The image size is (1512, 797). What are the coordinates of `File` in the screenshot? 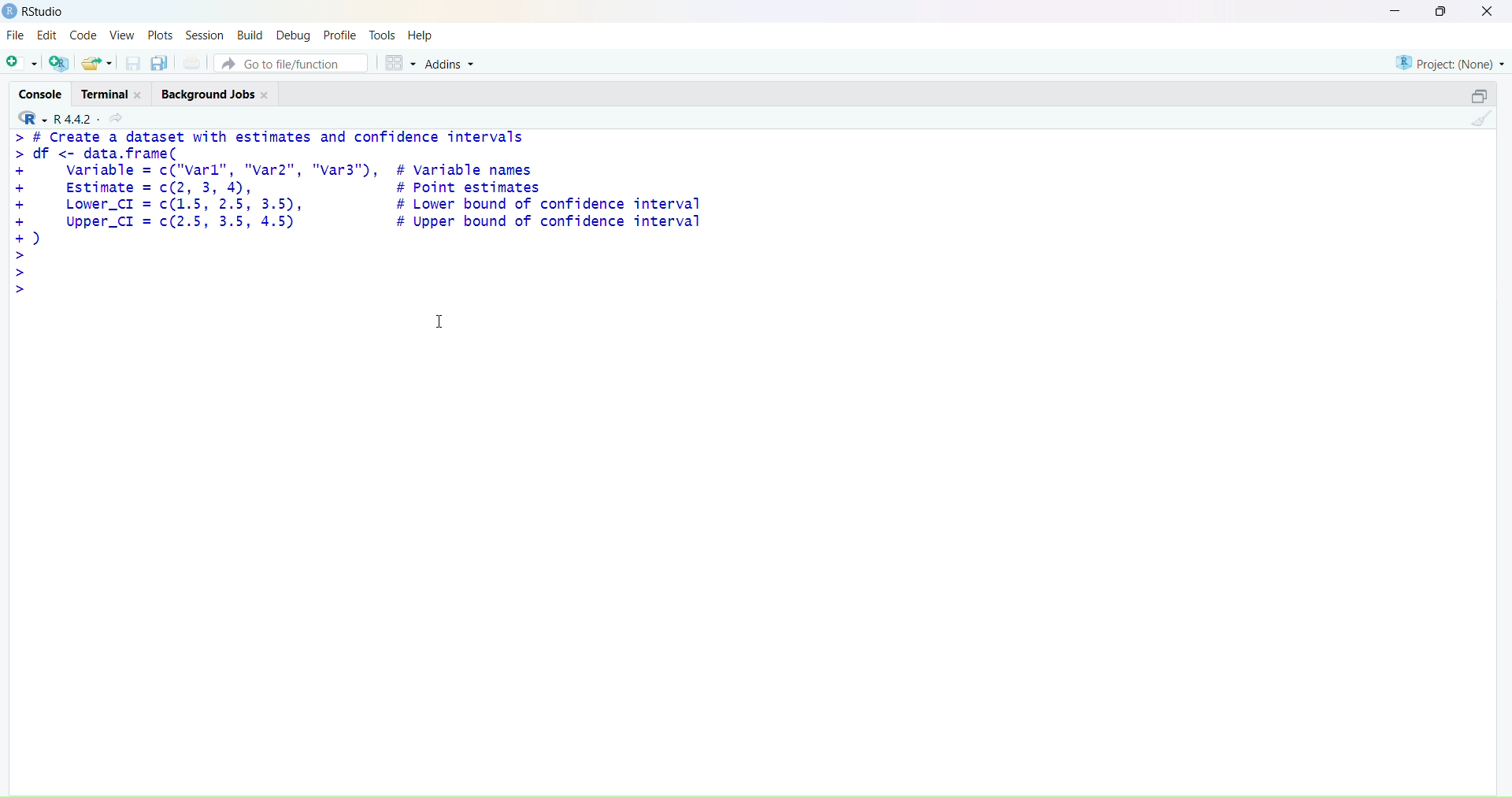 It's located at (14, 35).